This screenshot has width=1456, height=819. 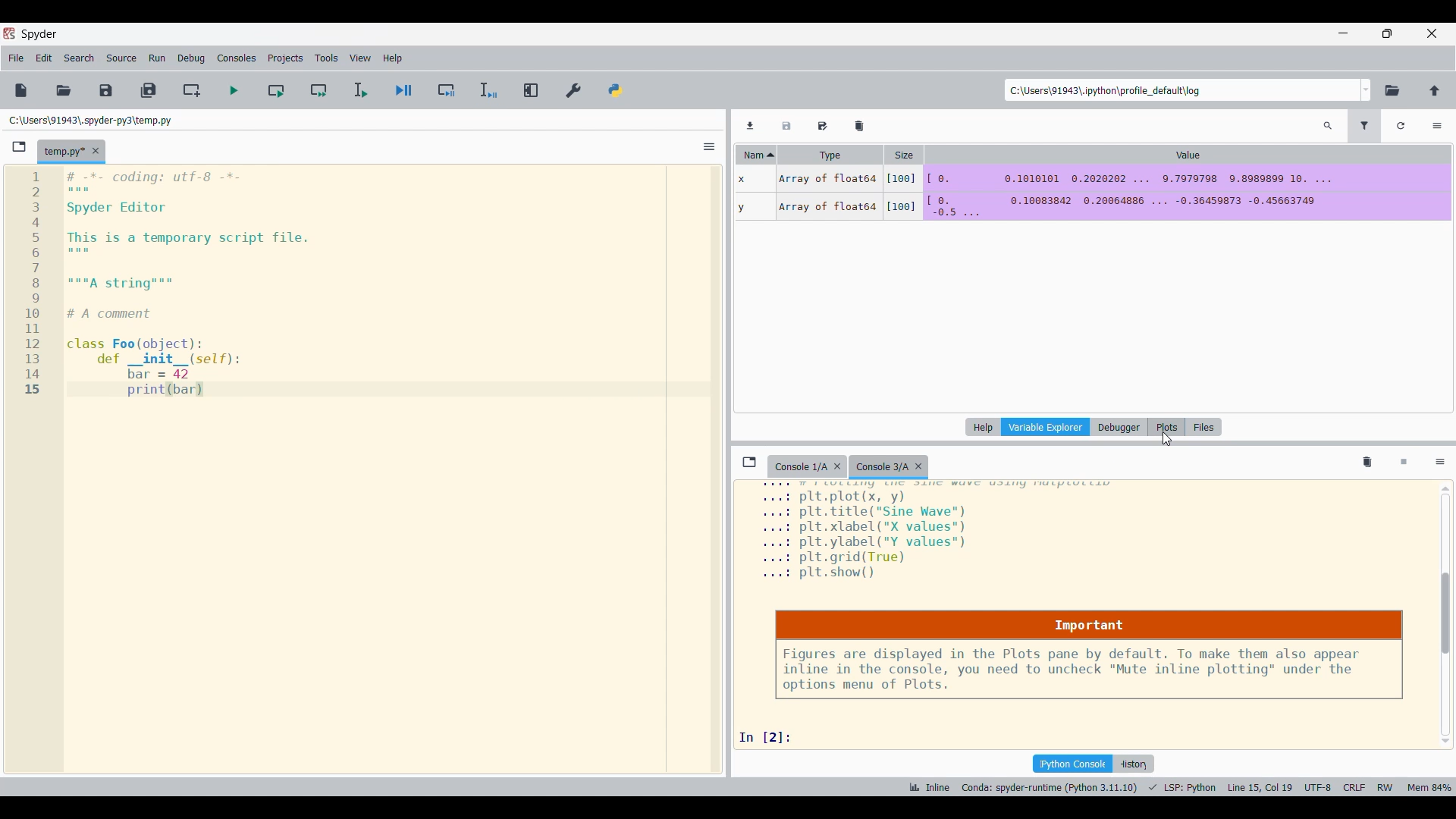 I want to click on CRLF, so click(x=1353, y=786).